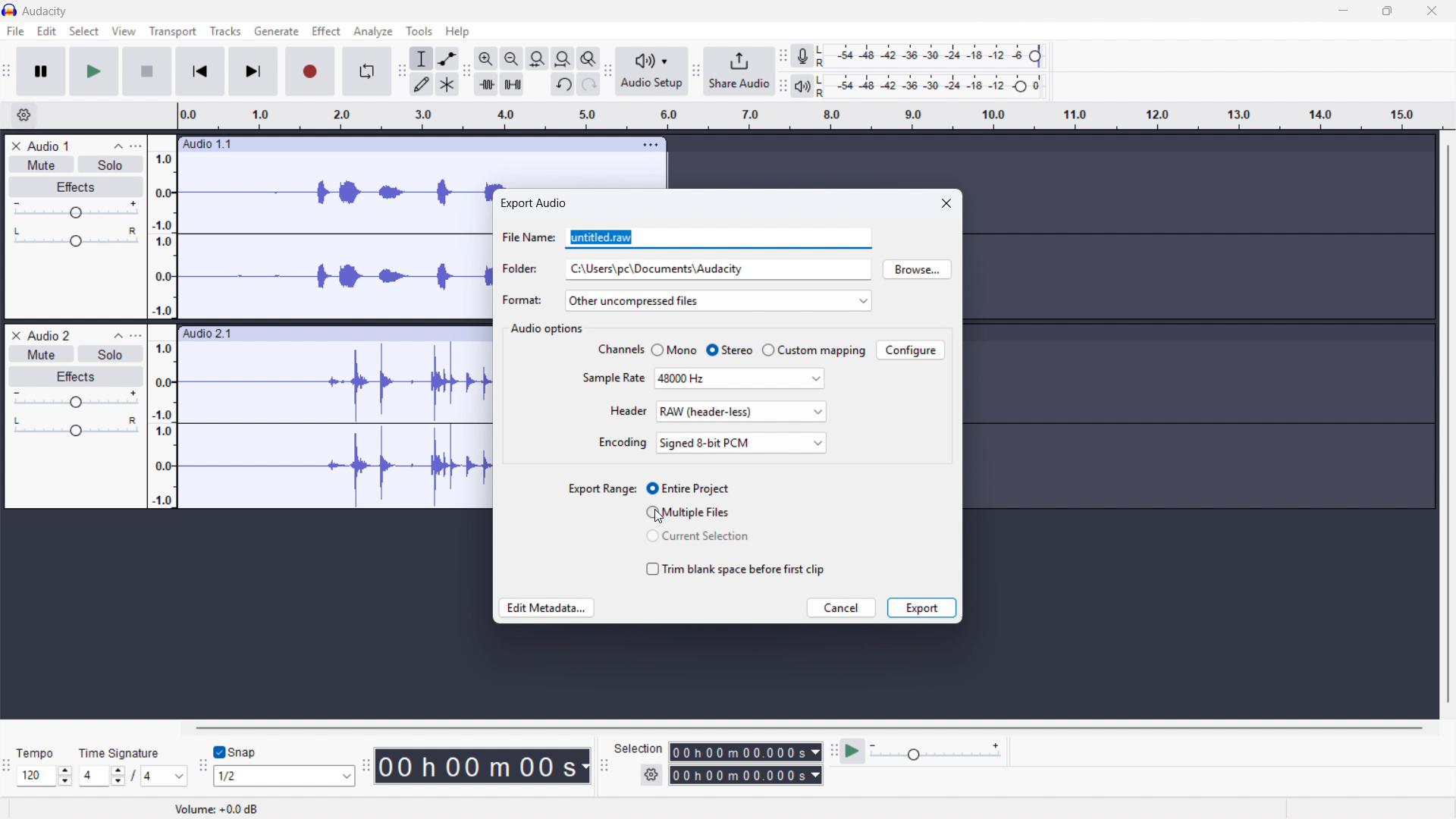 Image resolution: width=1456 pixels, height=819 pixels. What do you see at coordinates (946, 202) in the screenshot?
I see `close ` at bounding box center [946, 202].